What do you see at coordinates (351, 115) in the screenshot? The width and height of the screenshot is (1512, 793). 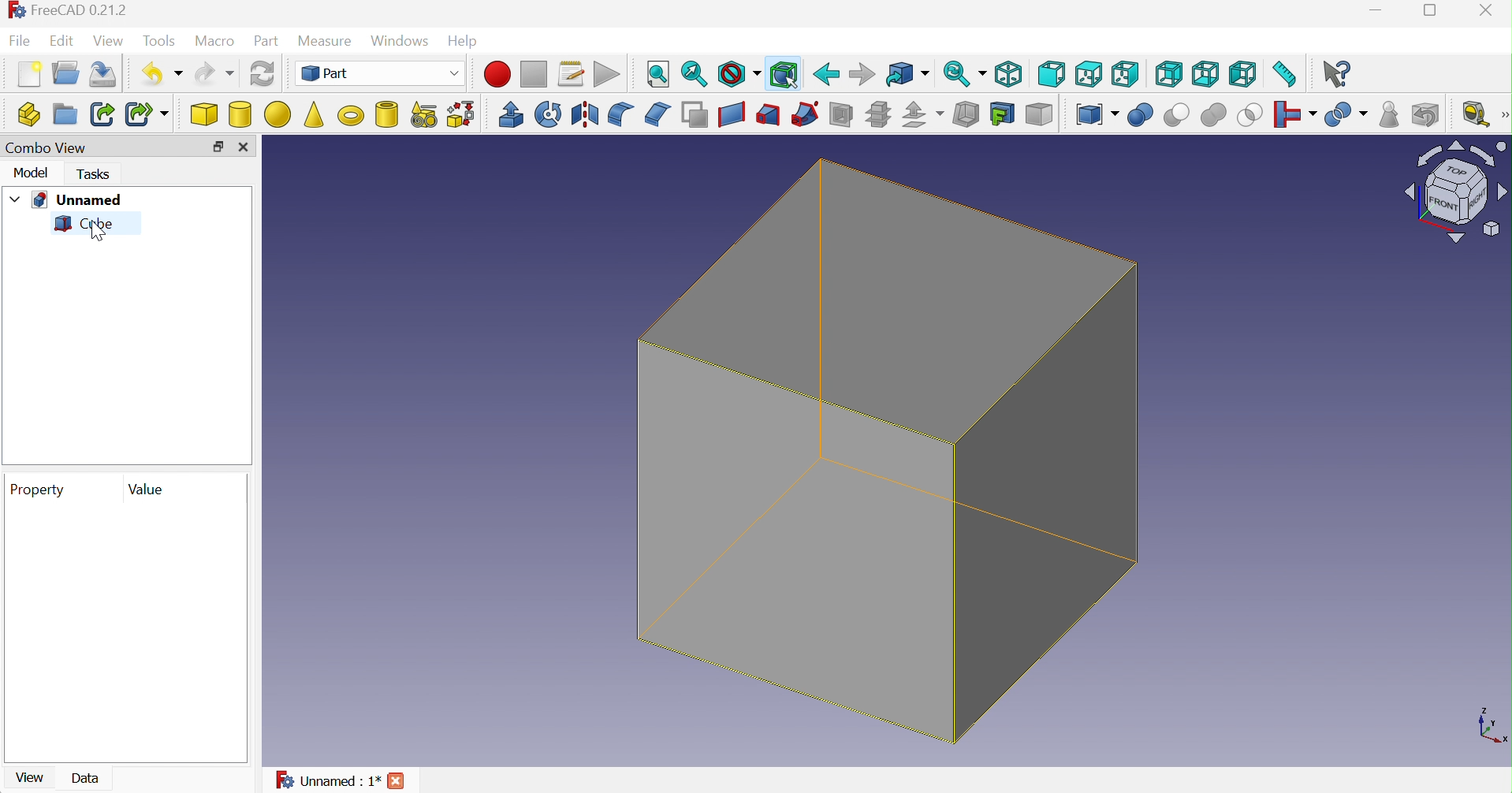 I see `Torus` at bounding box center [351, 115].